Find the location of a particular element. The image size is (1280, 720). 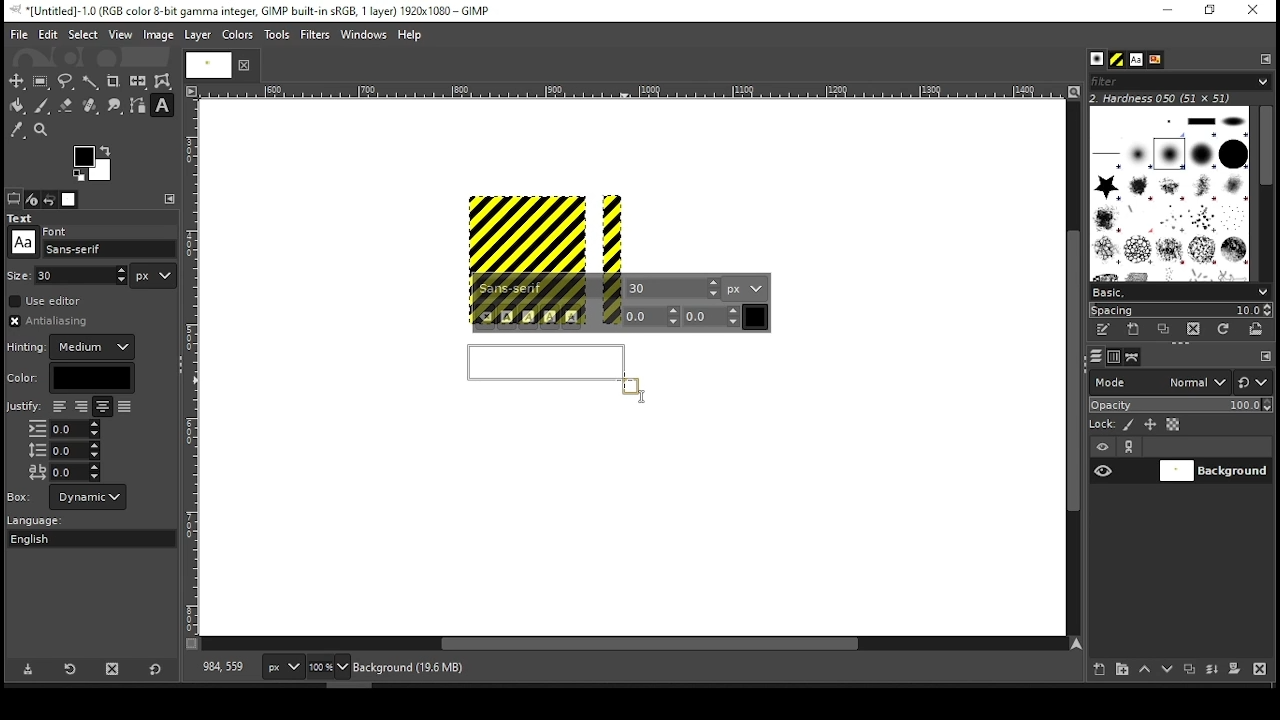

font size is located at coordinates (83, 275).